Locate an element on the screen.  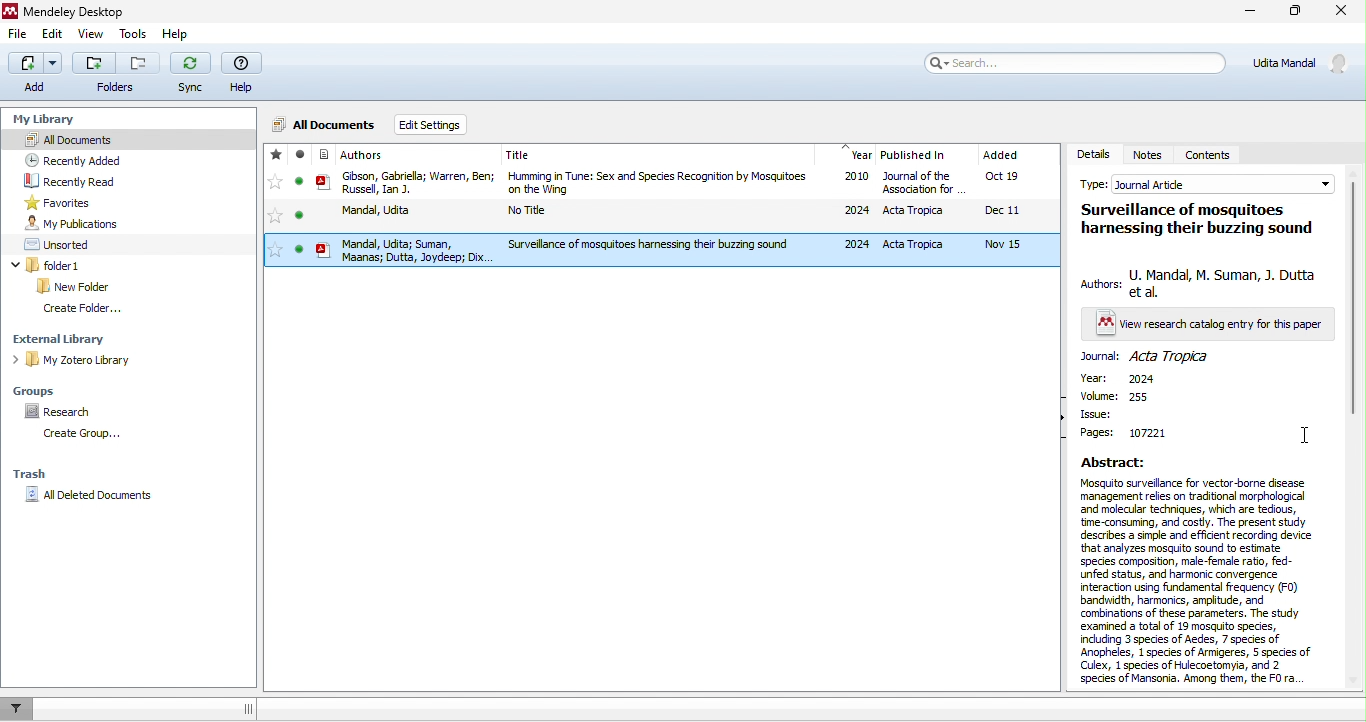
my library is located at coordinates (55, 121).